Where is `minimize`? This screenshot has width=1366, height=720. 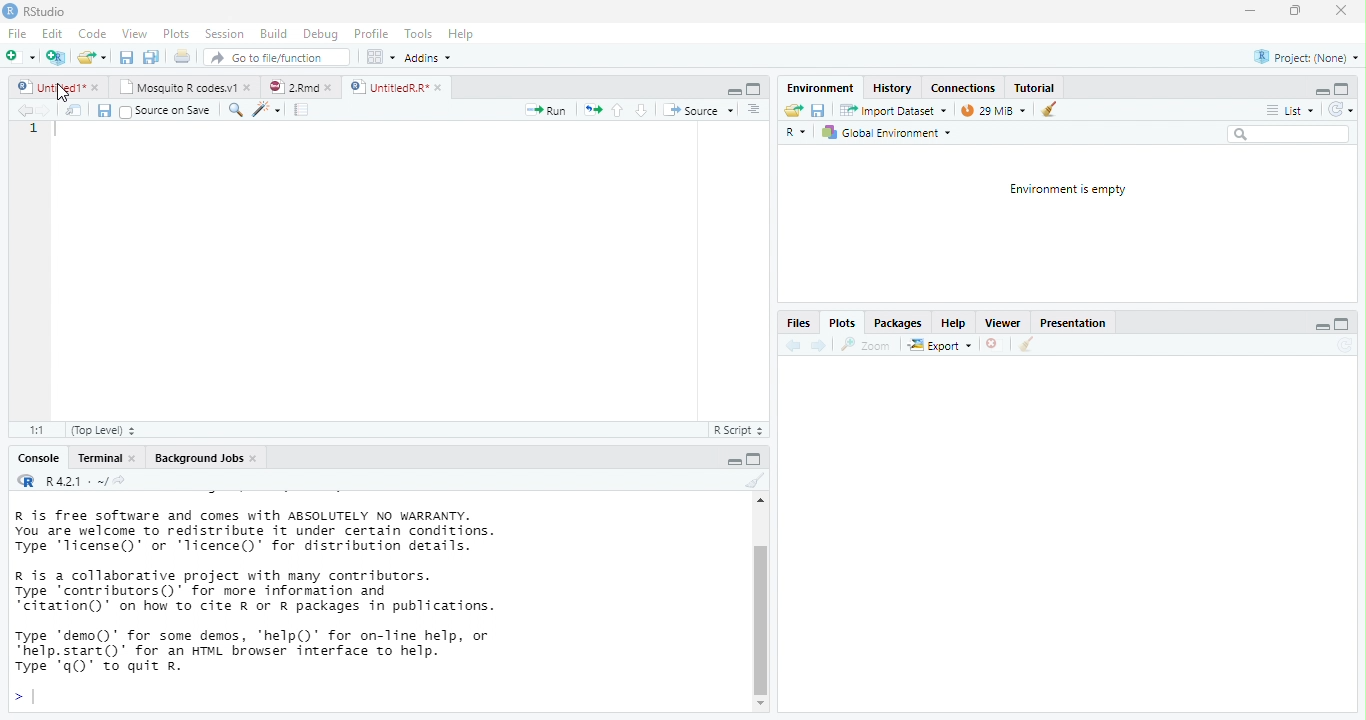
minimize is located at coordinates (734, 92).